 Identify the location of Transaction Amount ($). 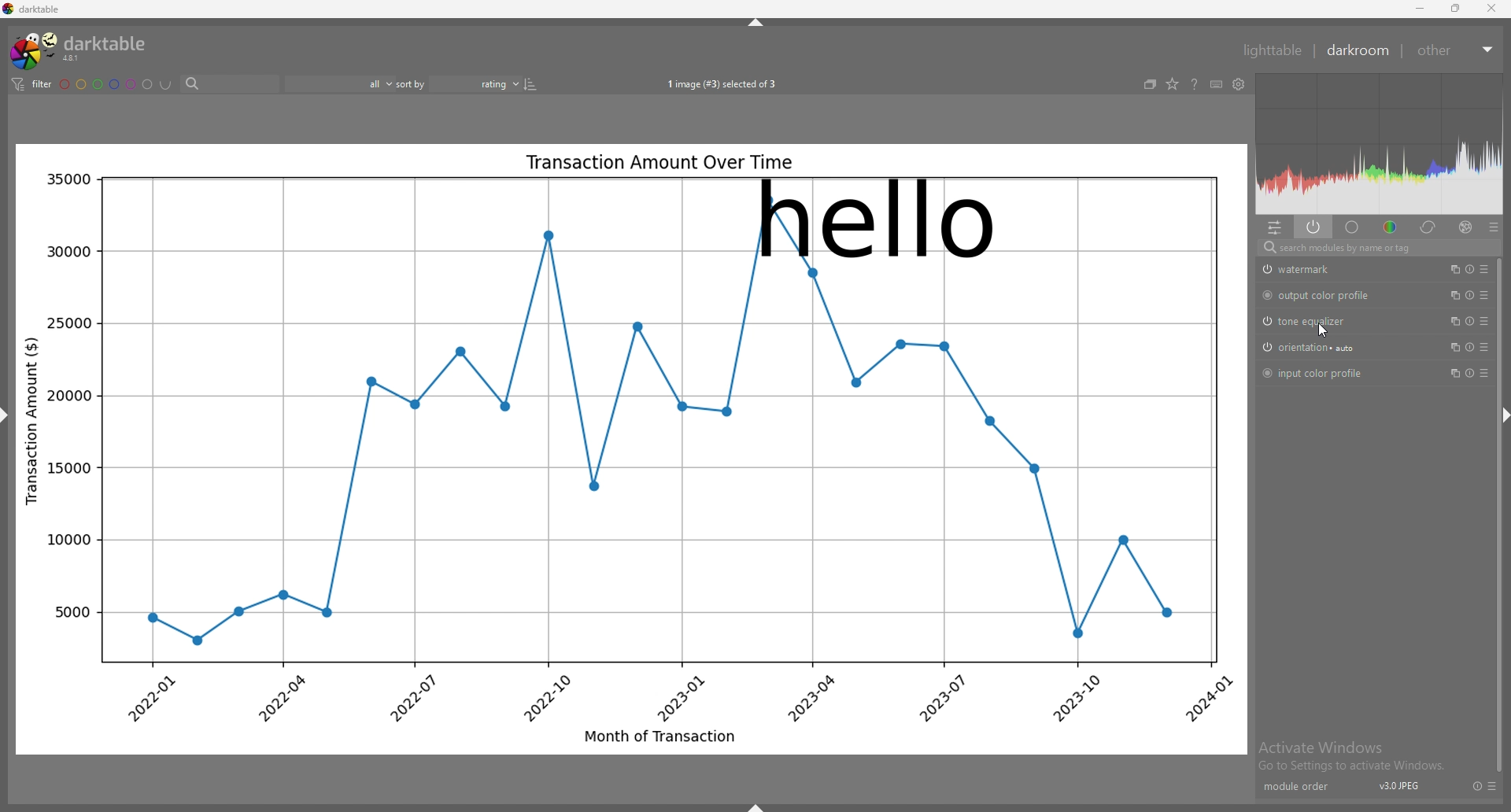
(32, 419).